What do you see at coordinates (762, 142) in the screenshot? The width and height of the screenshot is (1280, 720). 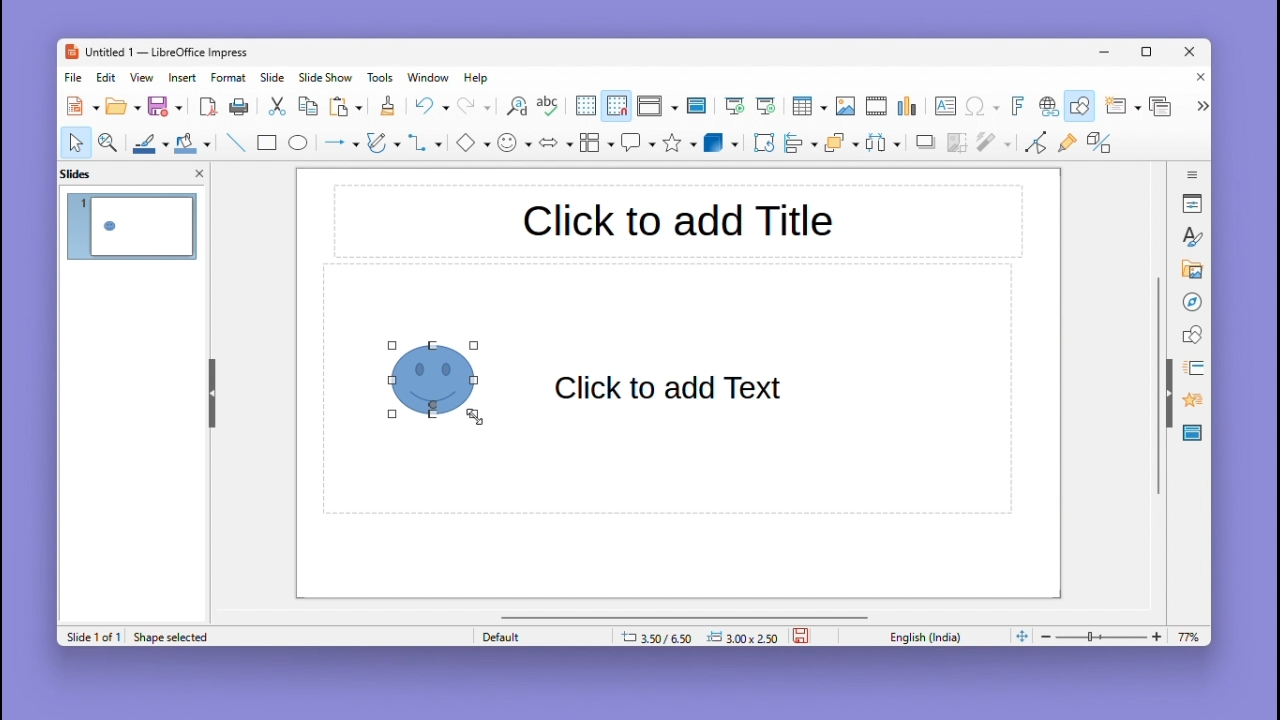 I see `Rotate` at bounding box center [762, 142].